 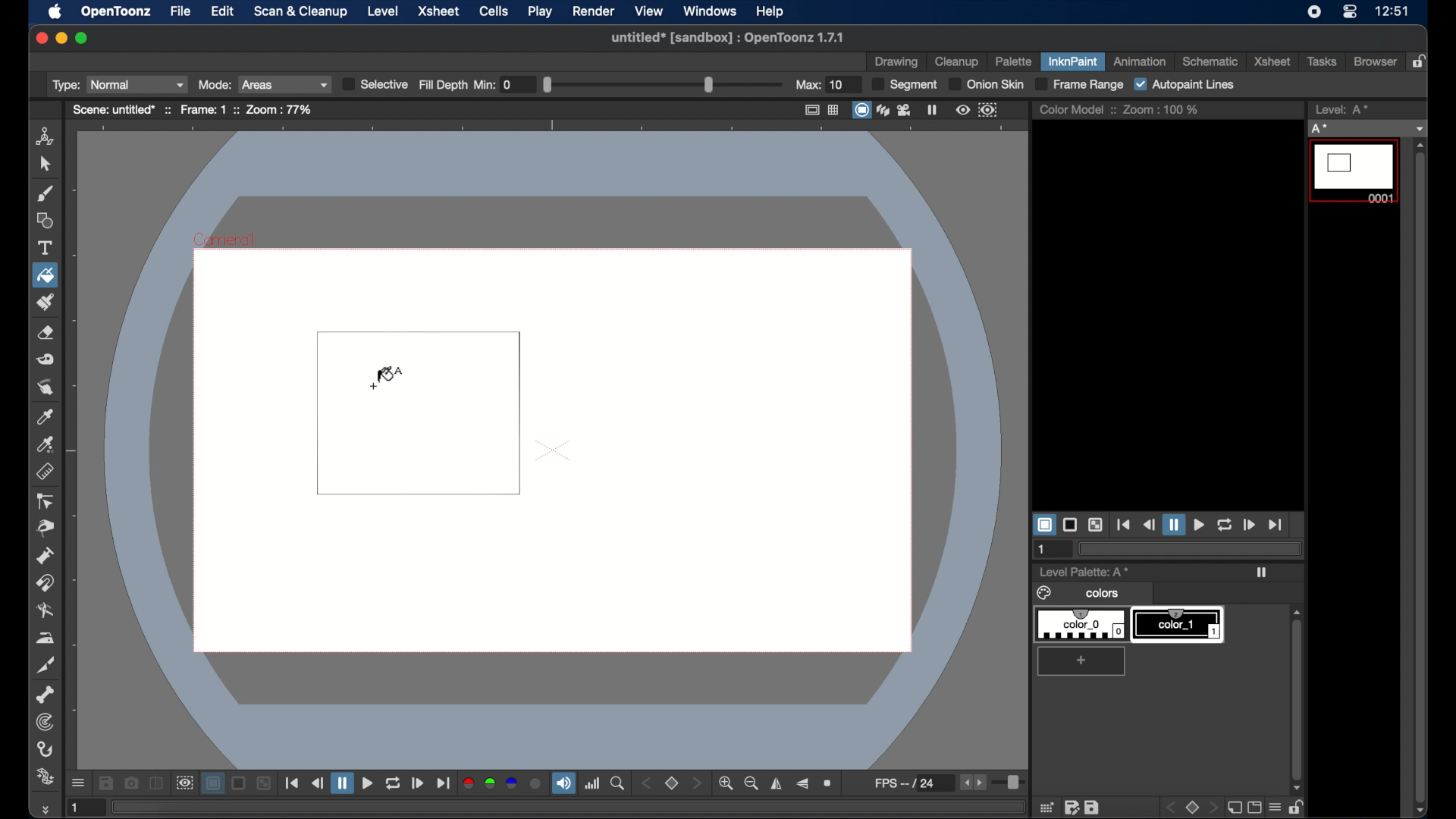 I want to click on fill tool, so click(x=45, y=275).